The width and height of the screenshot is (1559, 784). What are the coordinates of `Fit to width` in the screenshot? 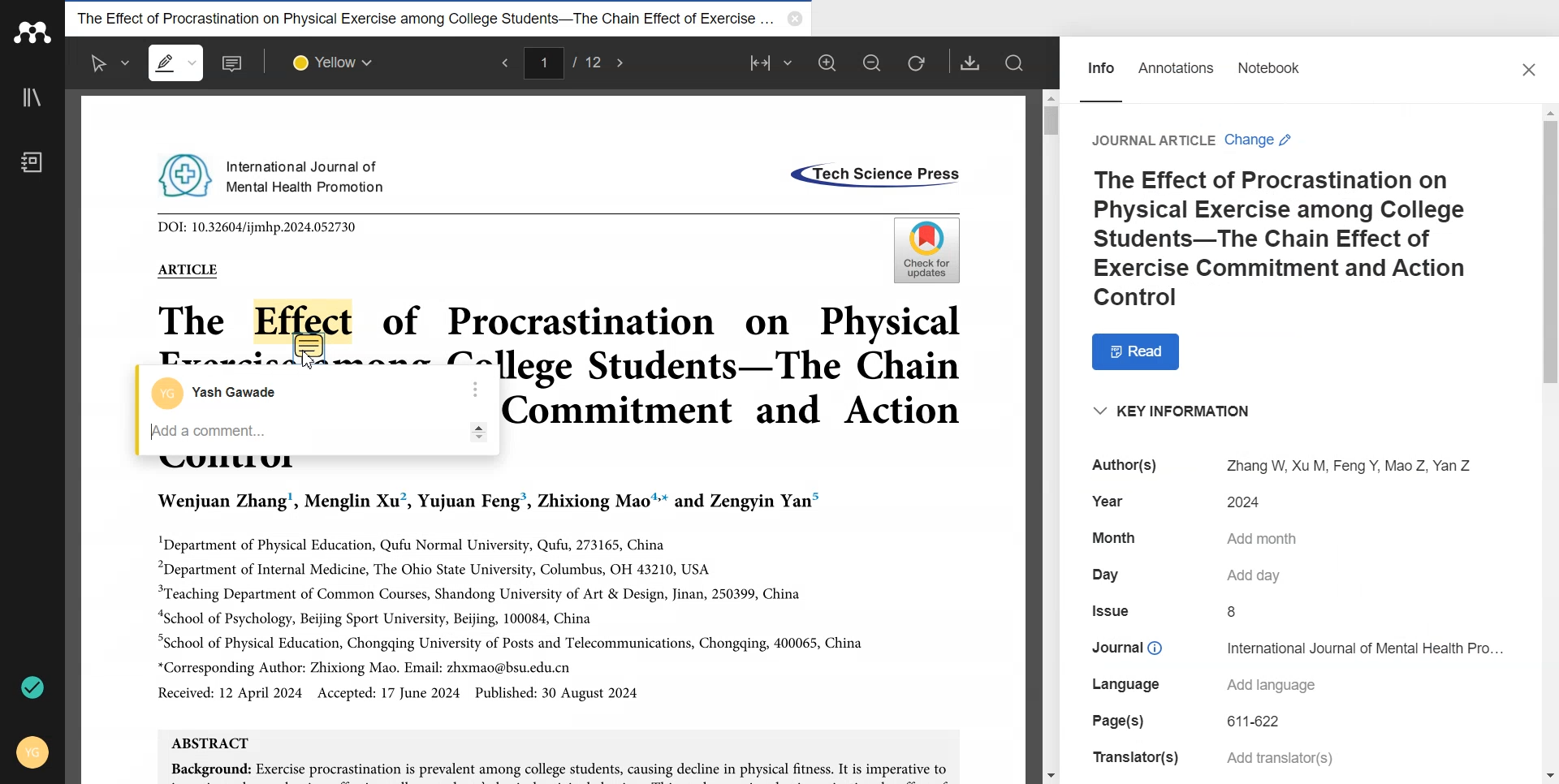 It's located at (773, 62).